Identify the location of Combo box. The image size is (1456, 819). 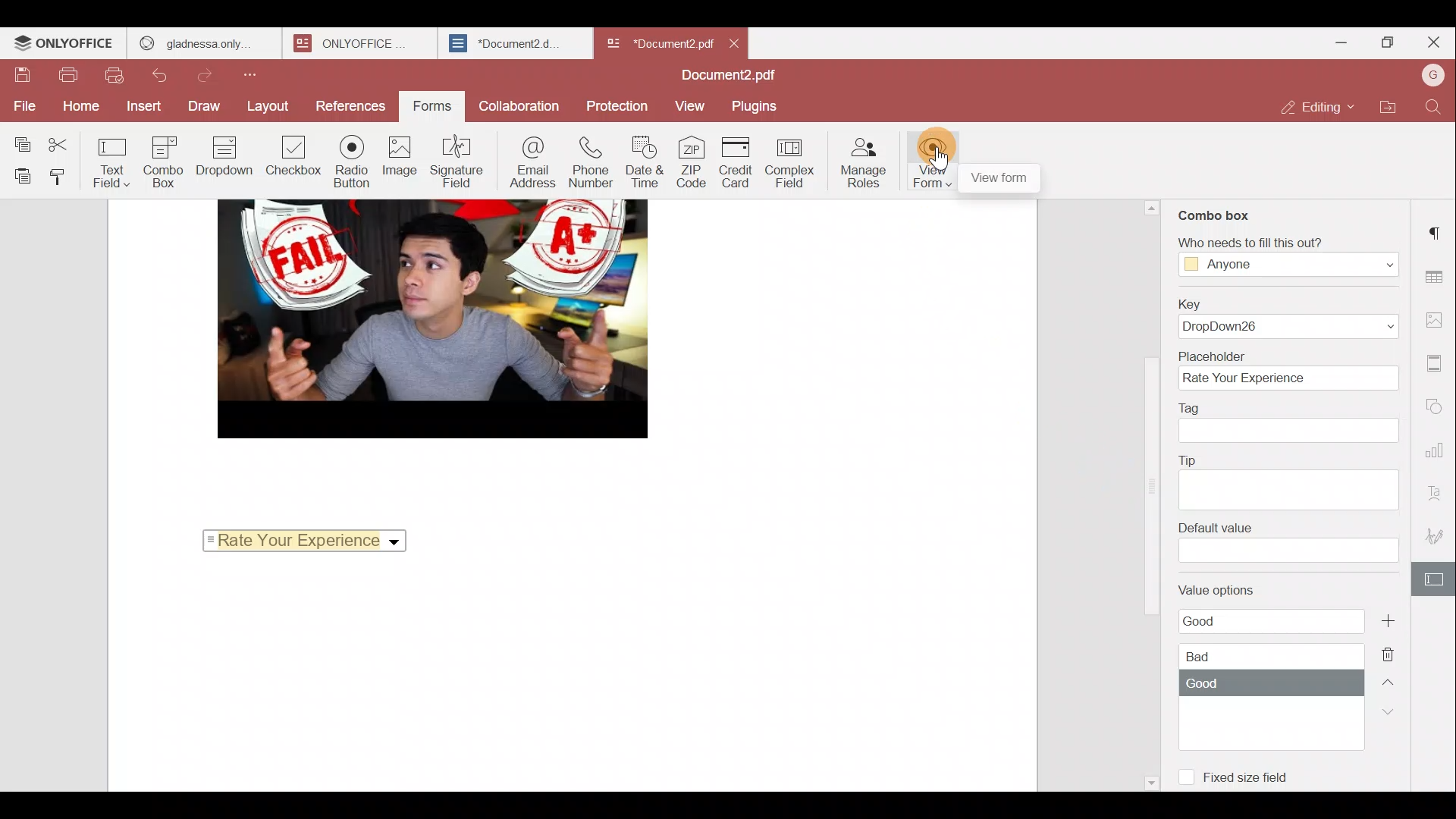
(169, 162).